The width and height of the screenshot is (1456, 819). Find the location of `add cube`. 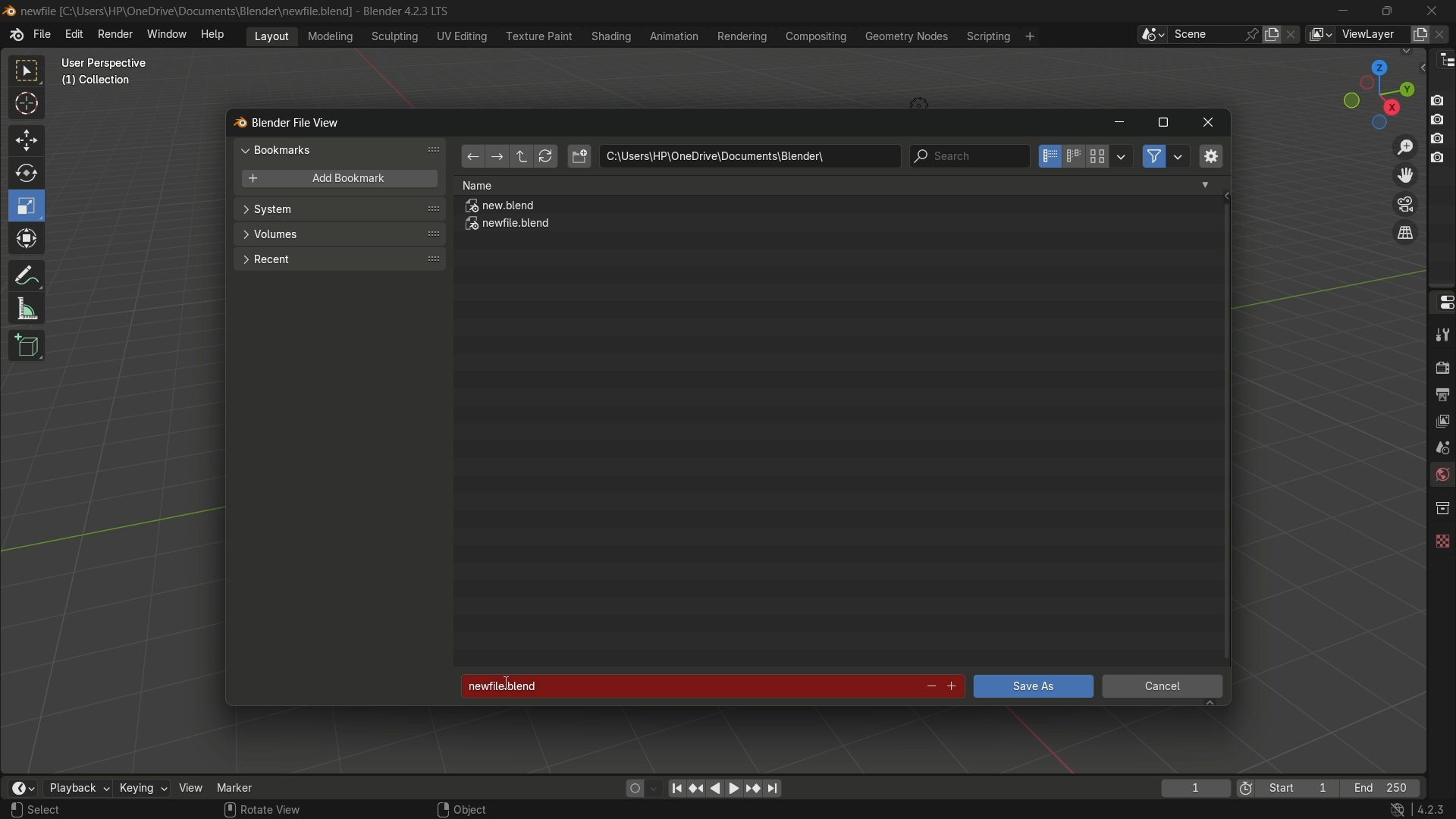

add cube is located at coordinates (24, 347).